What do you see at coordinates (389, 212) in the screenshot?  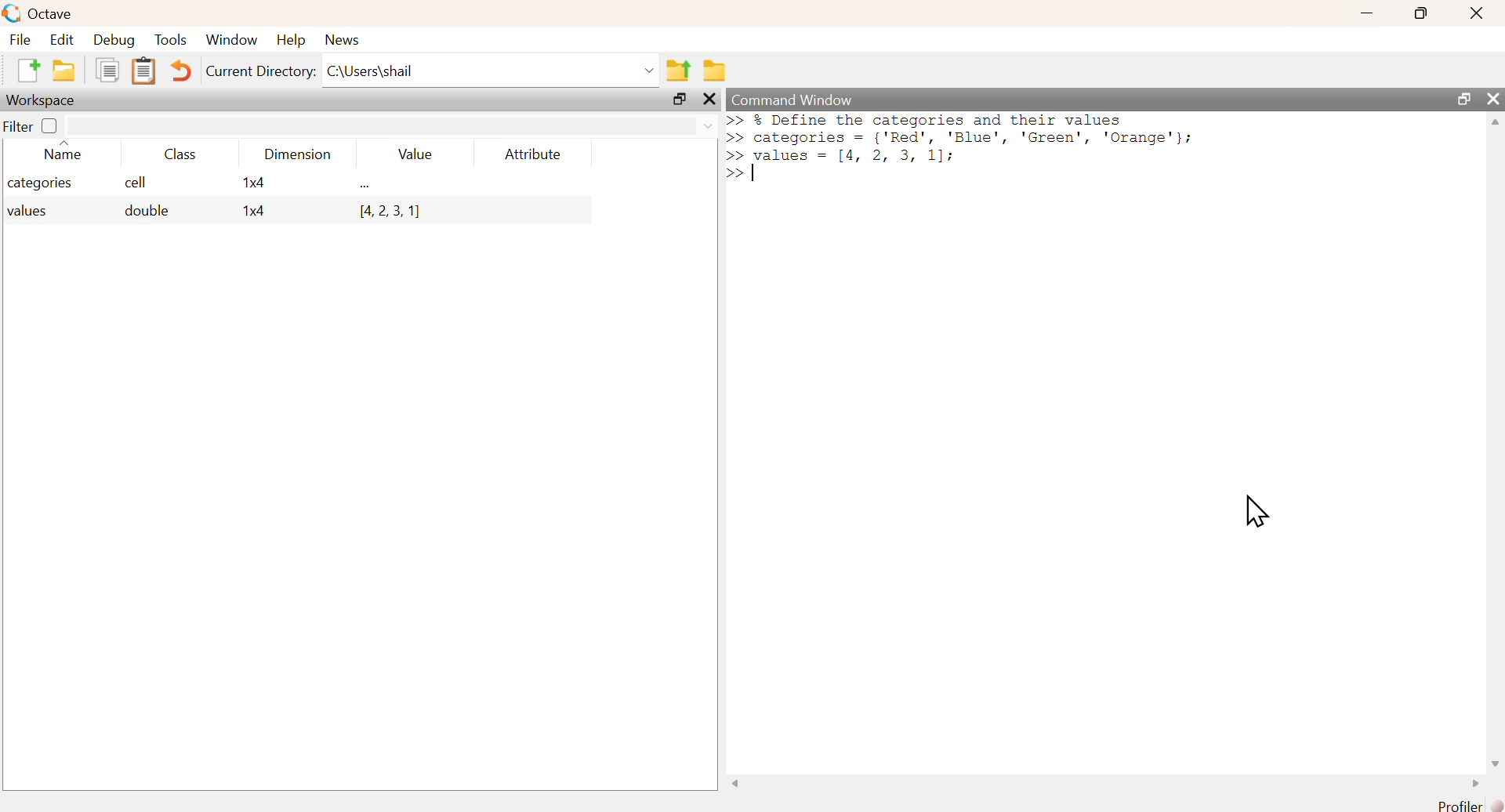 I see `[4, 2, 3, 1]` at bounding box center [389, 212].